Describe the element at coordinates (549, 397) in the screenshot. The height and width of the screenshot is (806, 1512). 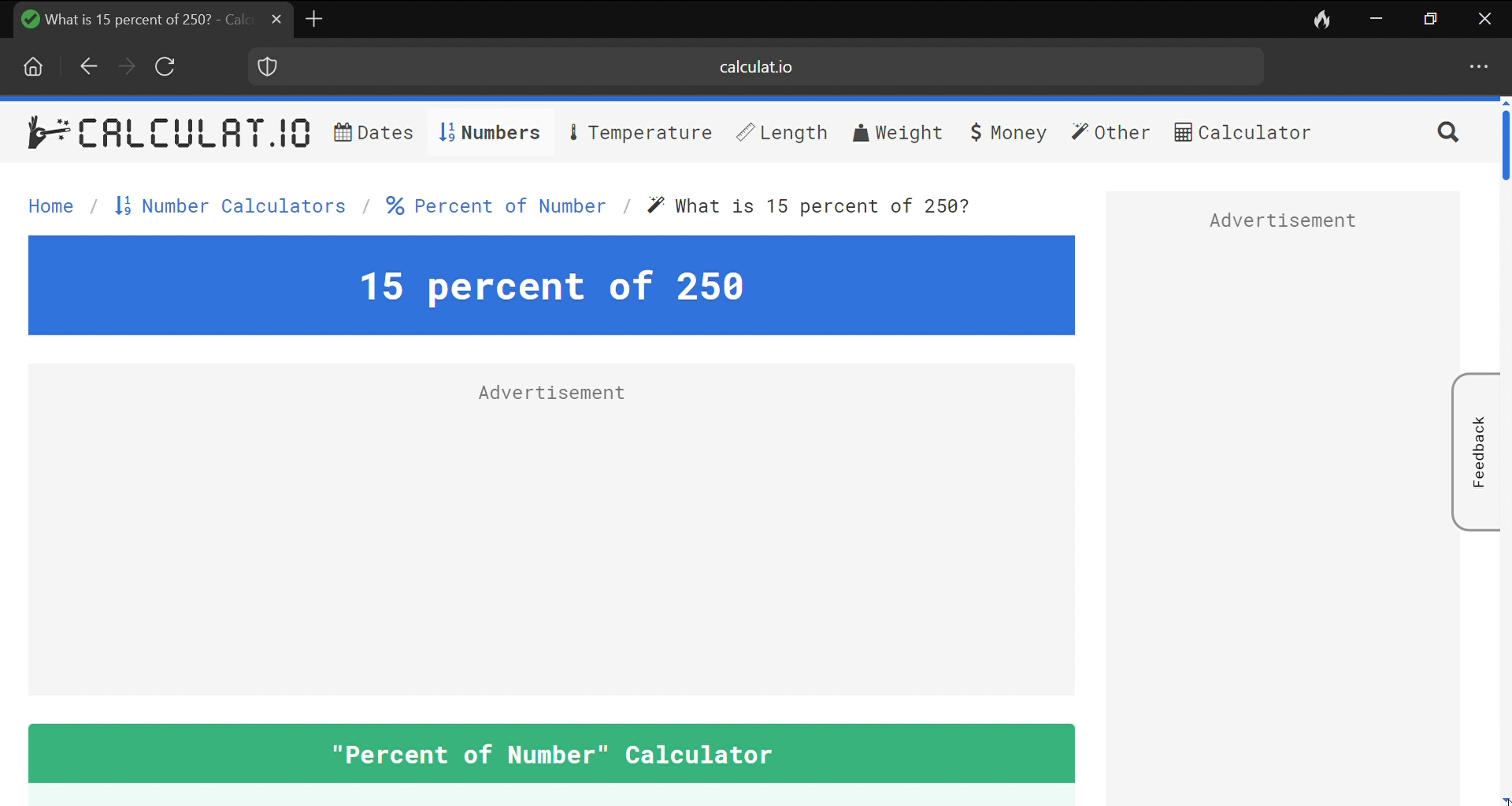
I see `Advertisement` at that location.